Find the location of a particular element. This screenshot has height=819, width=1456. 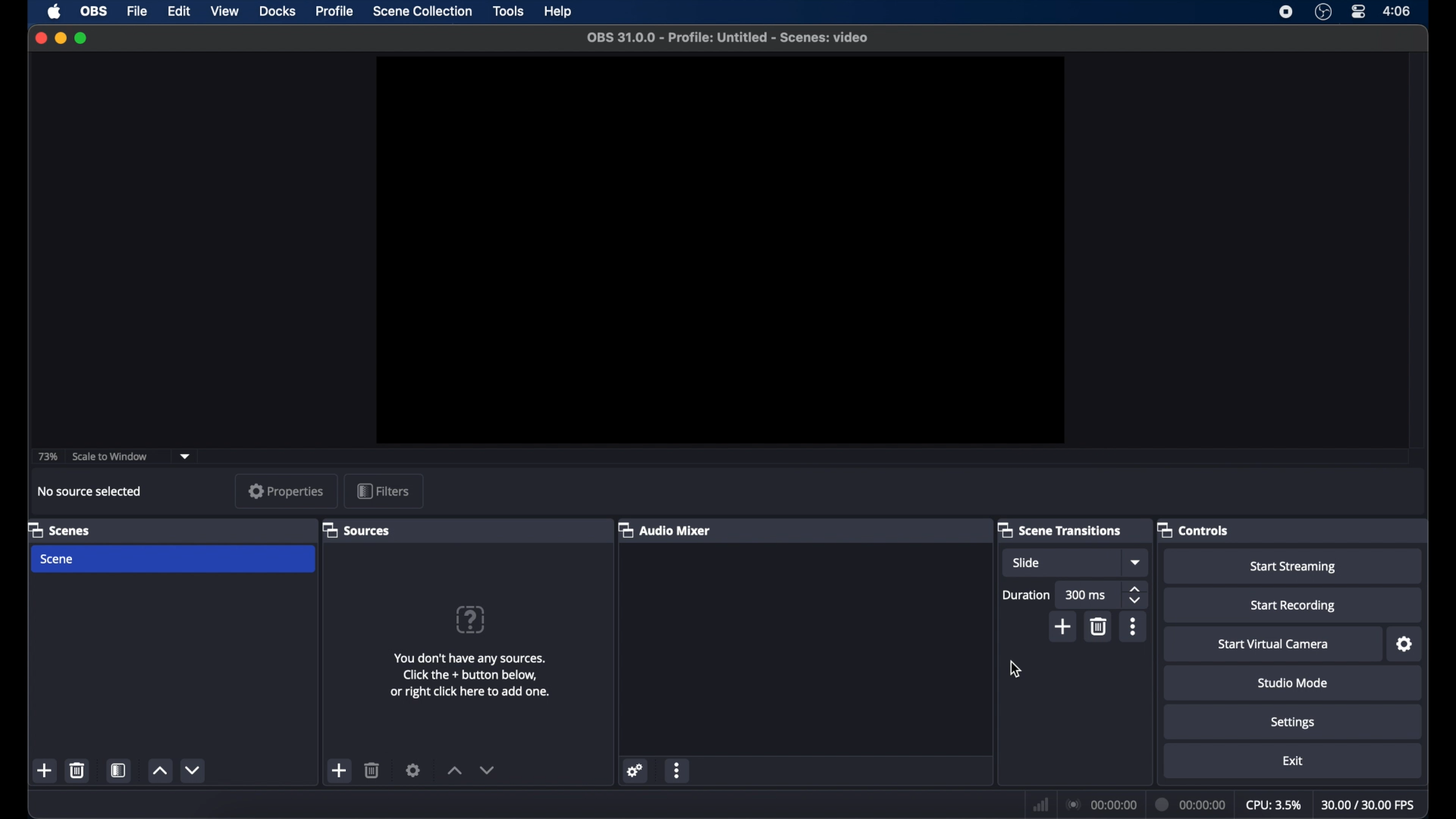

slide is located at coordinates (1027, 563).